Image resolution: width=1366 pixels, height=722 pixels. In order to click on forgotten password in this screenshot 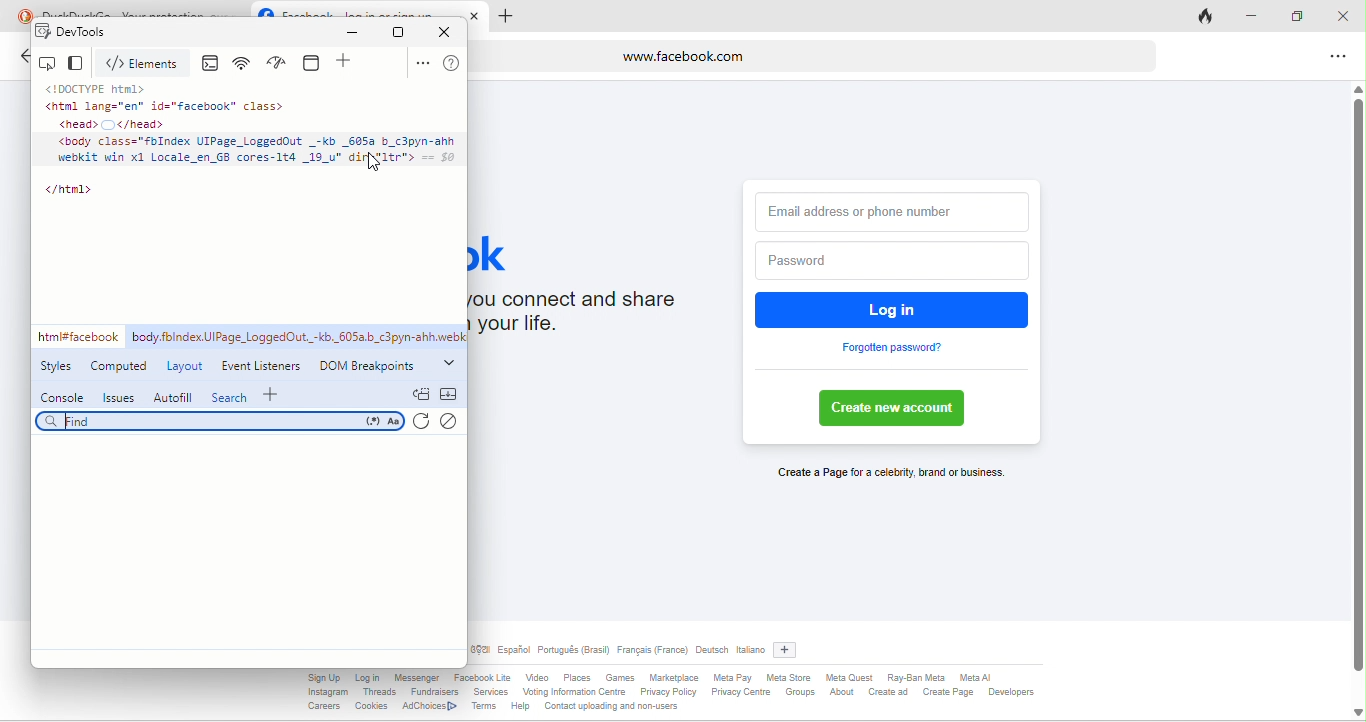, I will do `click(893, 348)`.